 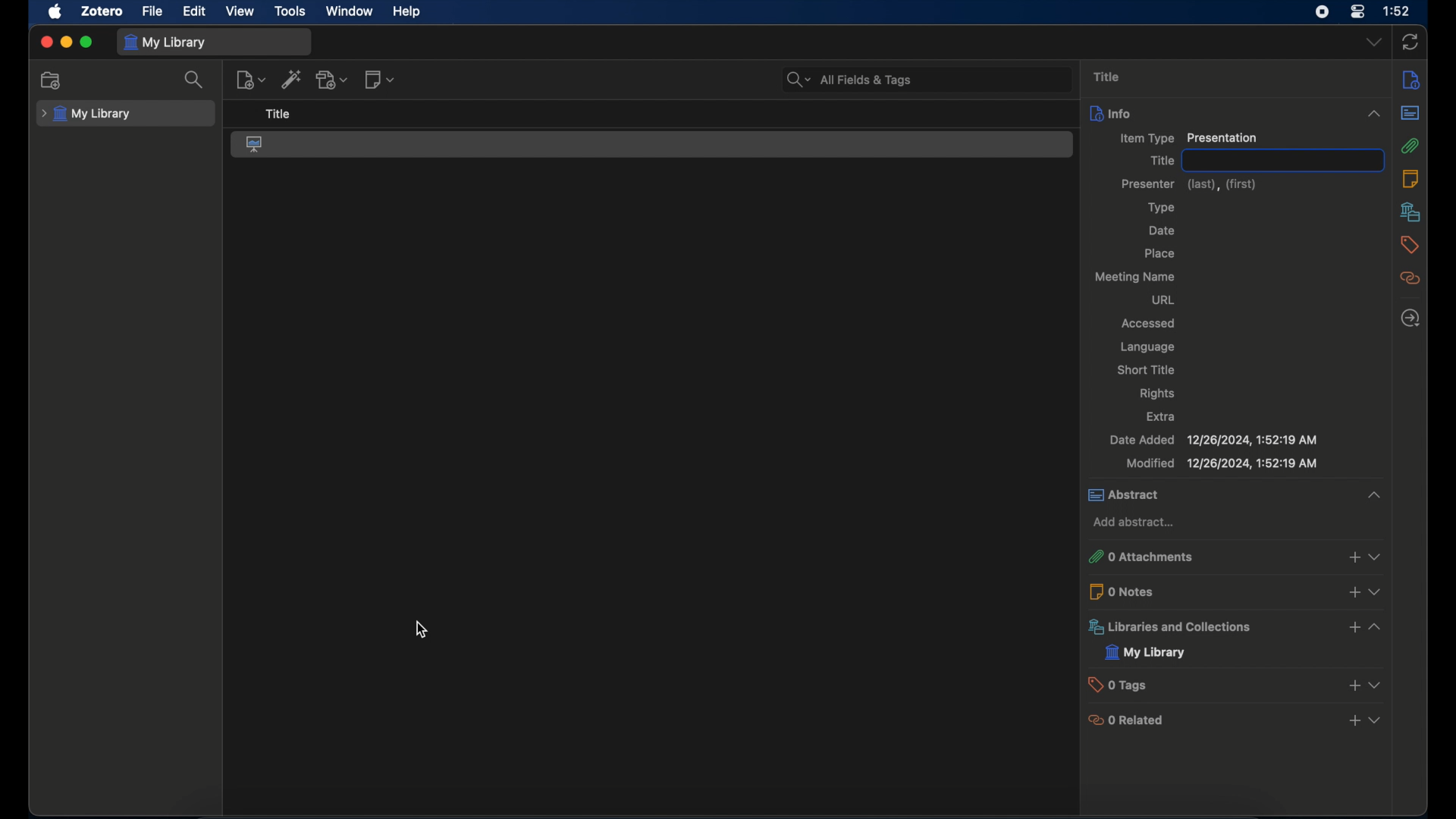 What do you see at coordinates (196, 80) in the screenshot?
I see `search` at bounding box center [196, 80].